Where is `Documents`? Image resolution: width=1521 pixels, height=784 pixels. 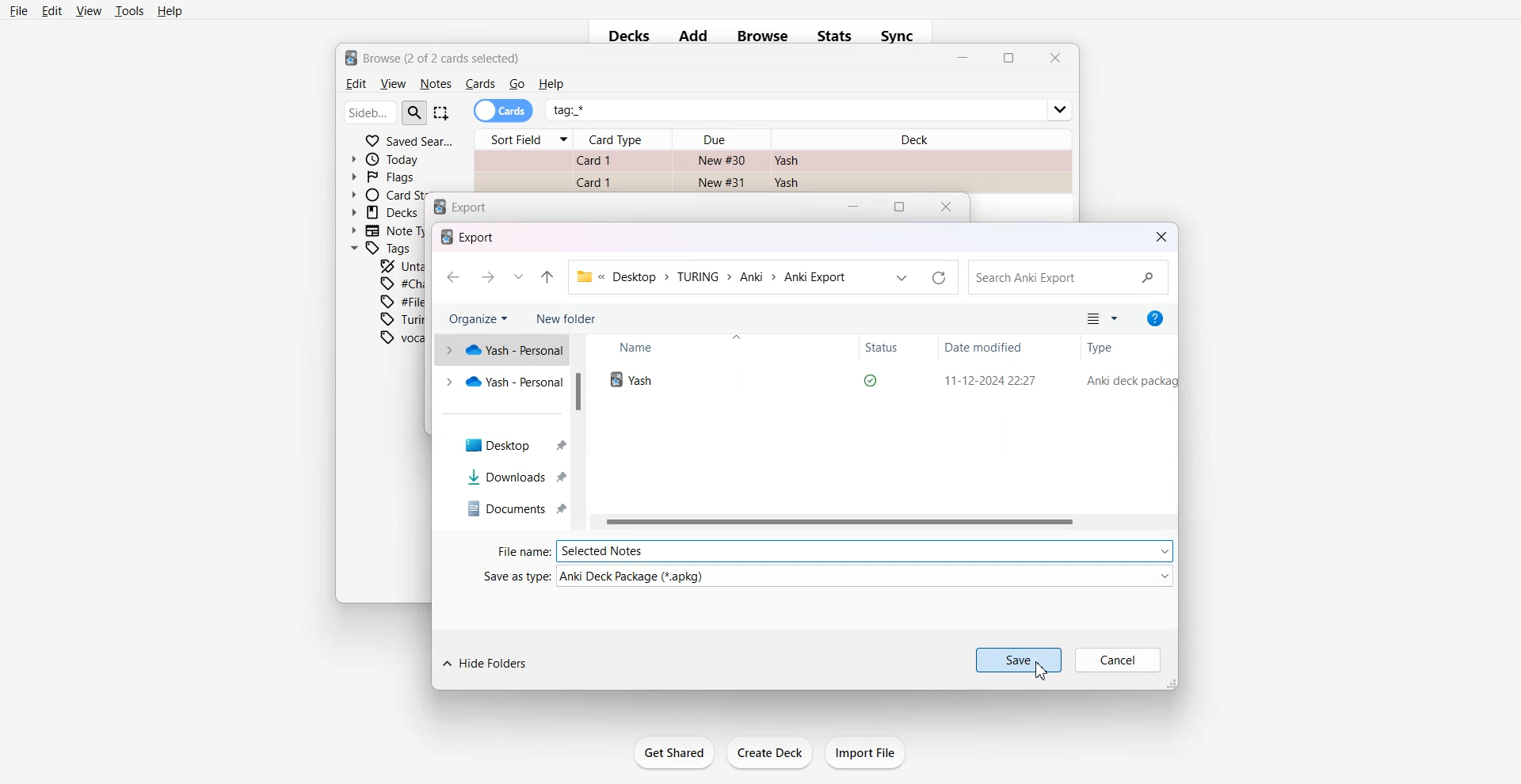
Documents is located at coordinates (501, 508).